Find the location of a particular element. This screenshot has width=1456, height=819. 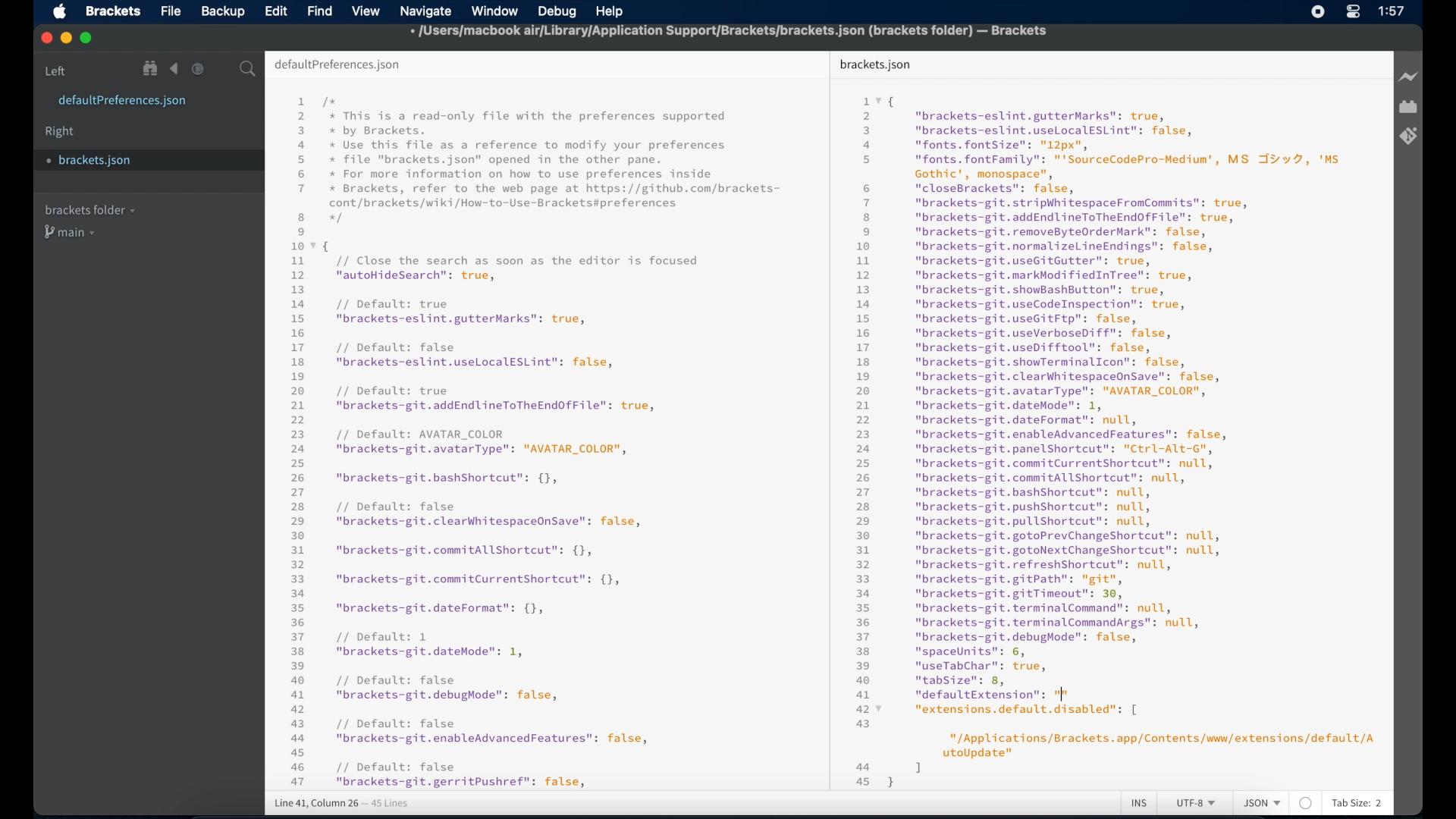

split editor vertical or horizontal is located at coordinates (220, 69).